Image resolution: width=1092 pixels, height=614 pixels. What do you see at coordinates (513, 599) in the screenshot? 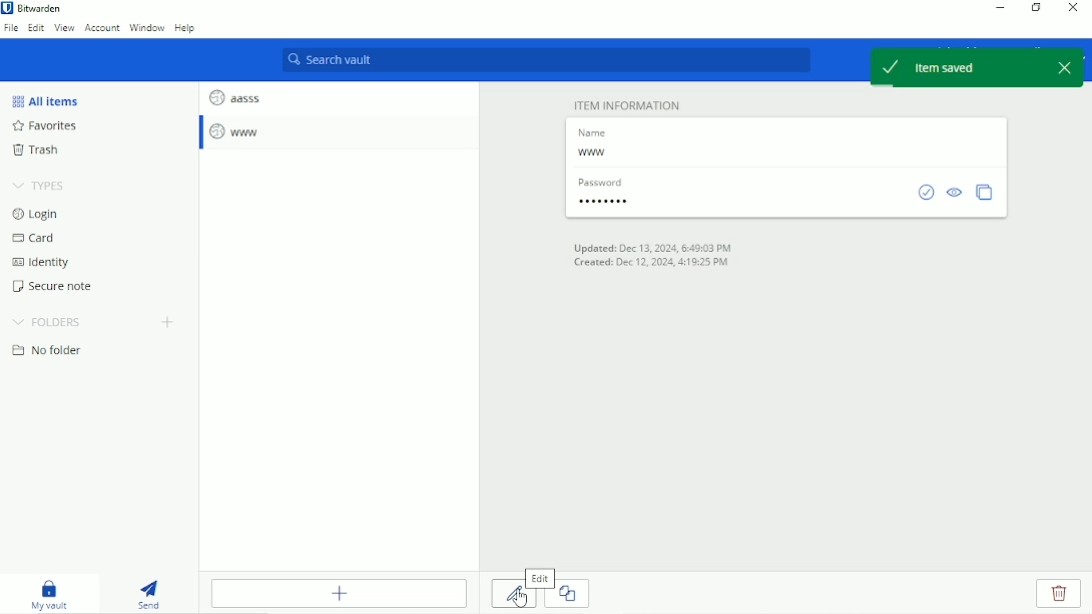
I see `Edit` at bounding box center [513, 599].